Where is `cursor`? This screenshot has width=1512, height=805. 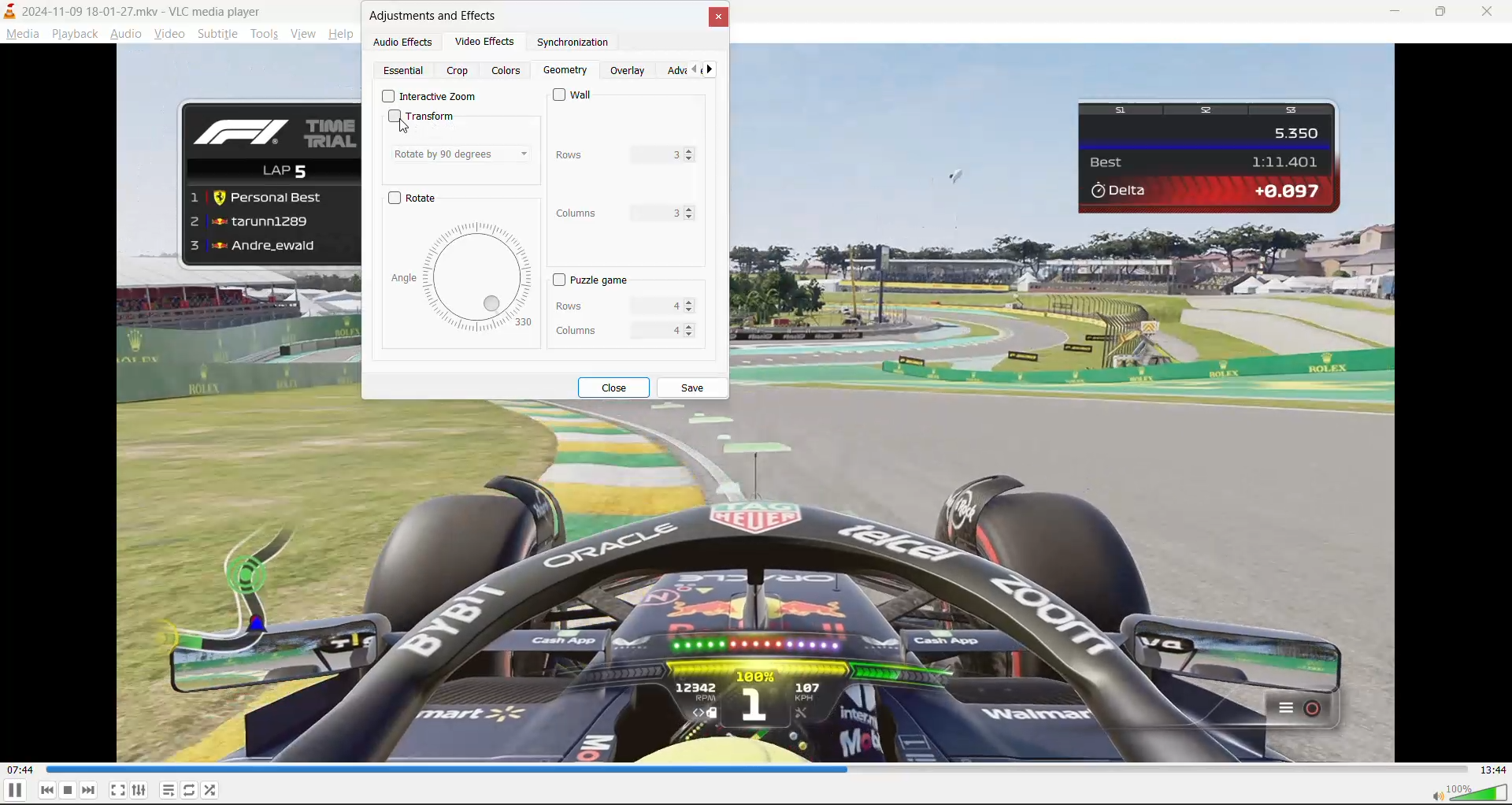 cursor is located at coordinates (406, 126).